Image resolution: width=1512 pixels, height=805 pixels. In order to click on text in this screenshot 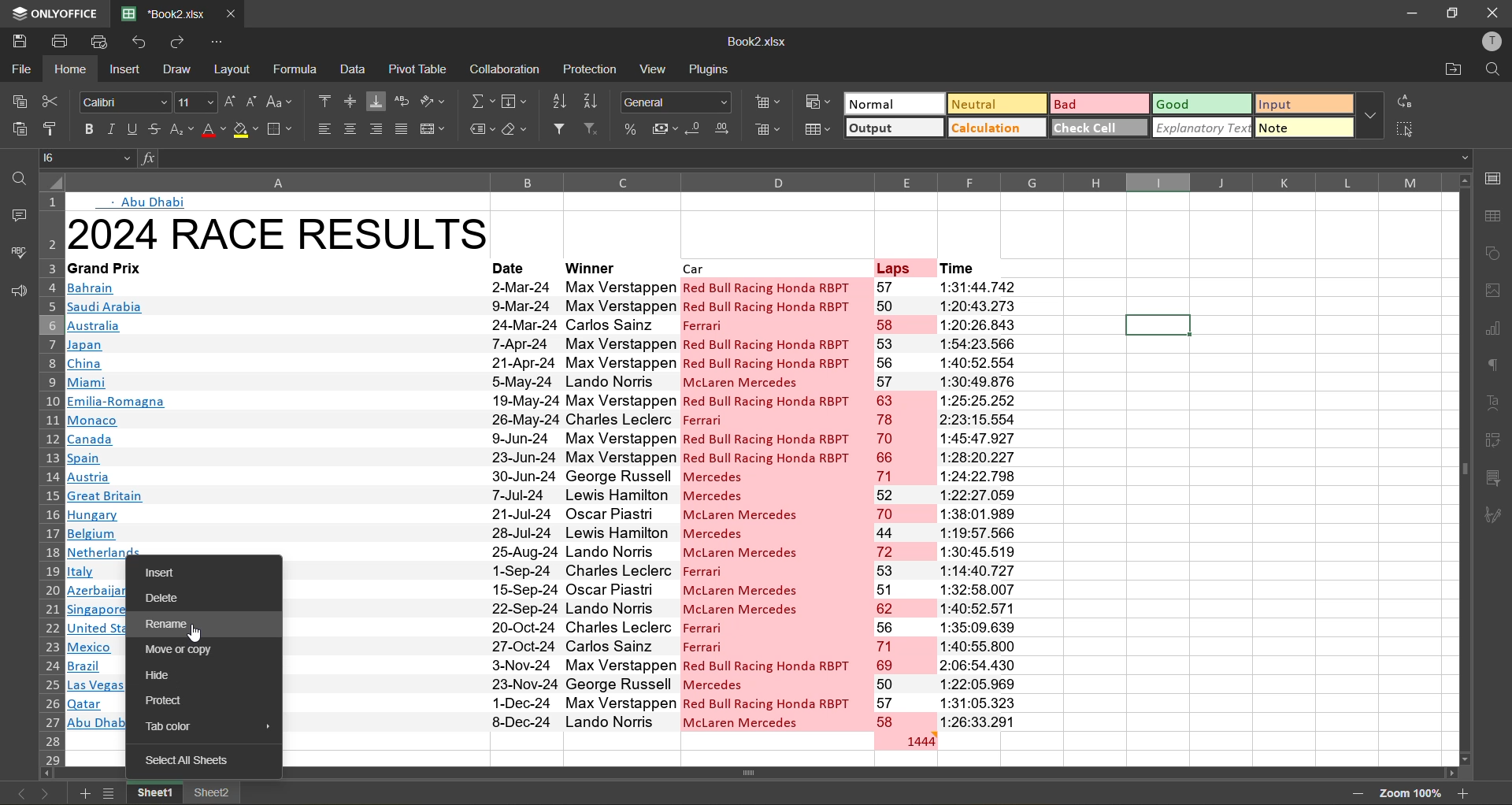, I will do `click(144, 201)`.